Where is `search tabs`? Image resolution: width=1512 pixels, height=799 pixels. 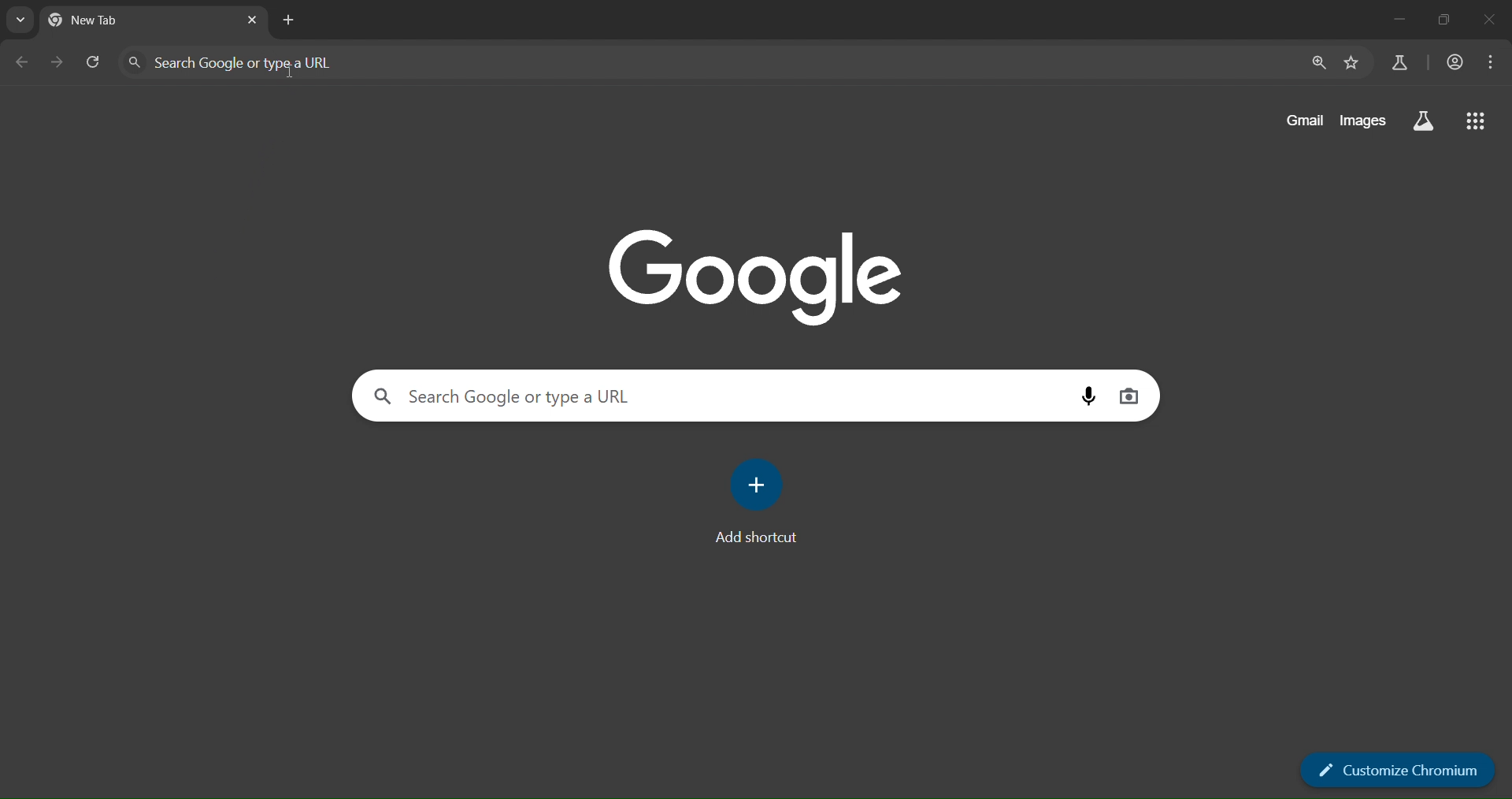 search tabs is located at coordinates (20, 20).